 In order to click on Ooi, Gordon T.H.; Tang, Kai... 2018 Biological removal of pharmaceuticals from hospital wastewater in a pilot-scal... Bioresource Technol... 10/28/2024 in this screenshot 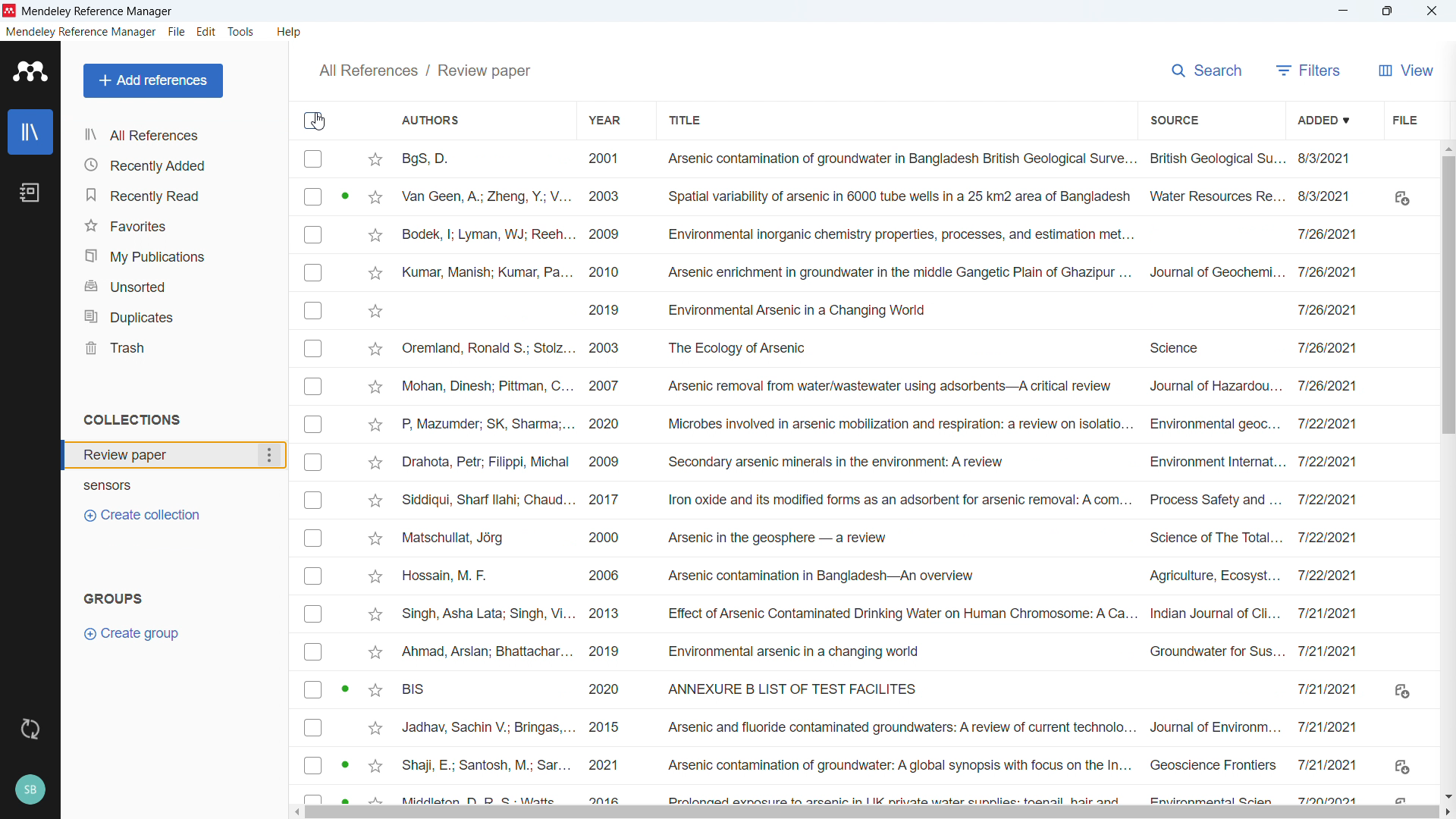, I will do `click(883, 499)`.